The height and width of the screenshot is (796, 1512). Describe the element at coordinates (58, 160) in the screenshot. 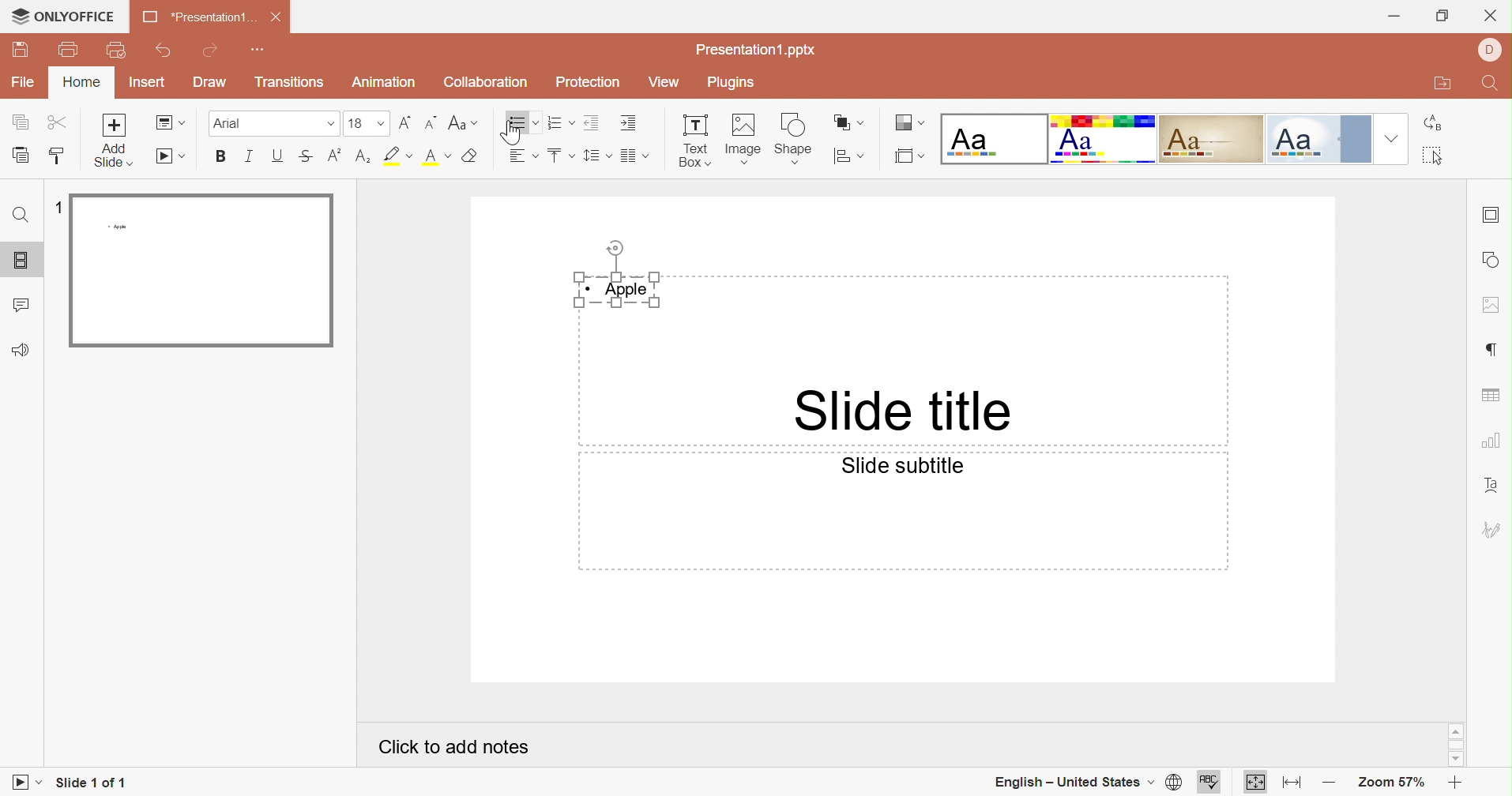

I see `Copy style` at that location.